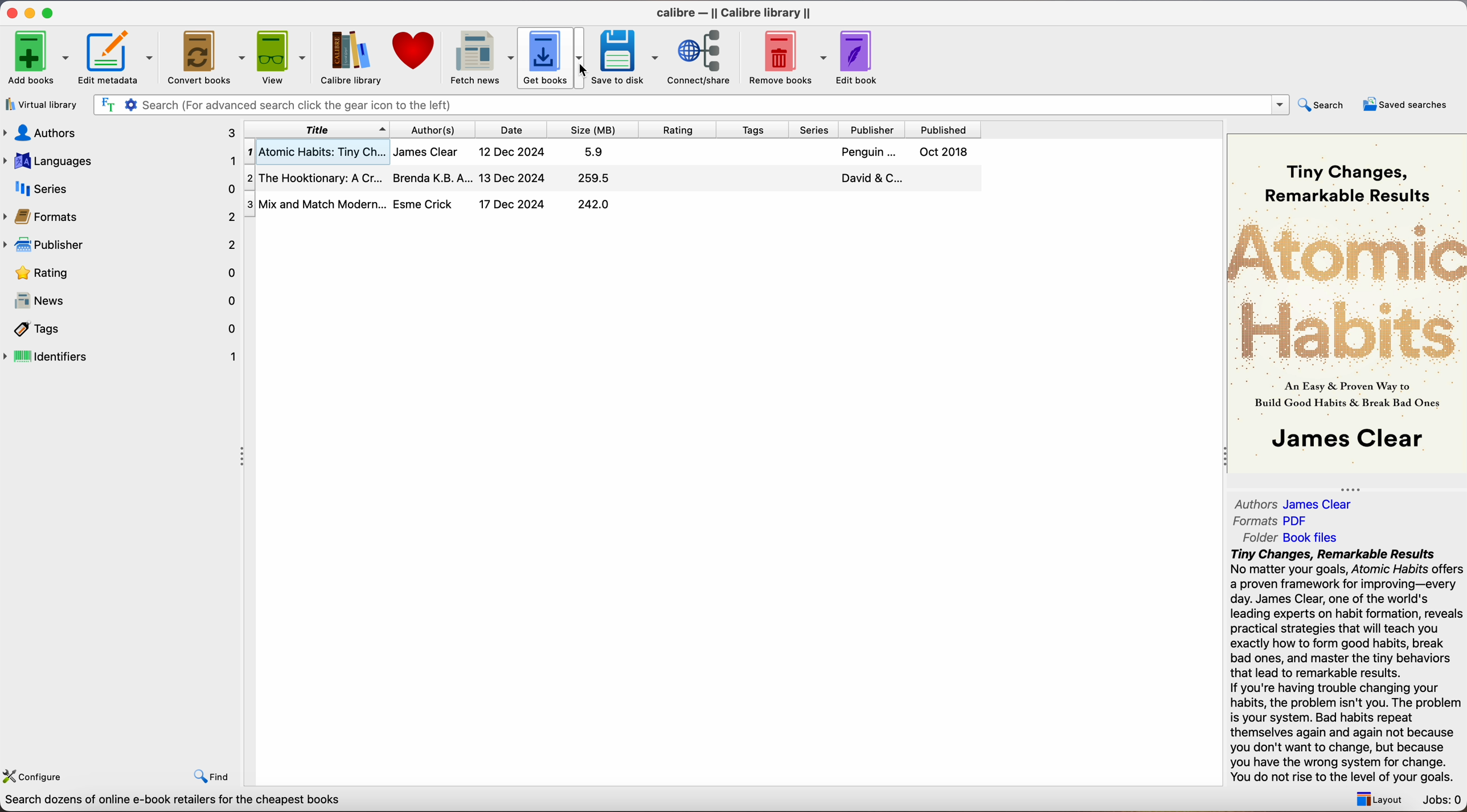 The width and height of the screenshot is (1467, 812). I want to click on Atomic Habits: Tiny Ch..., so click(613, 151).